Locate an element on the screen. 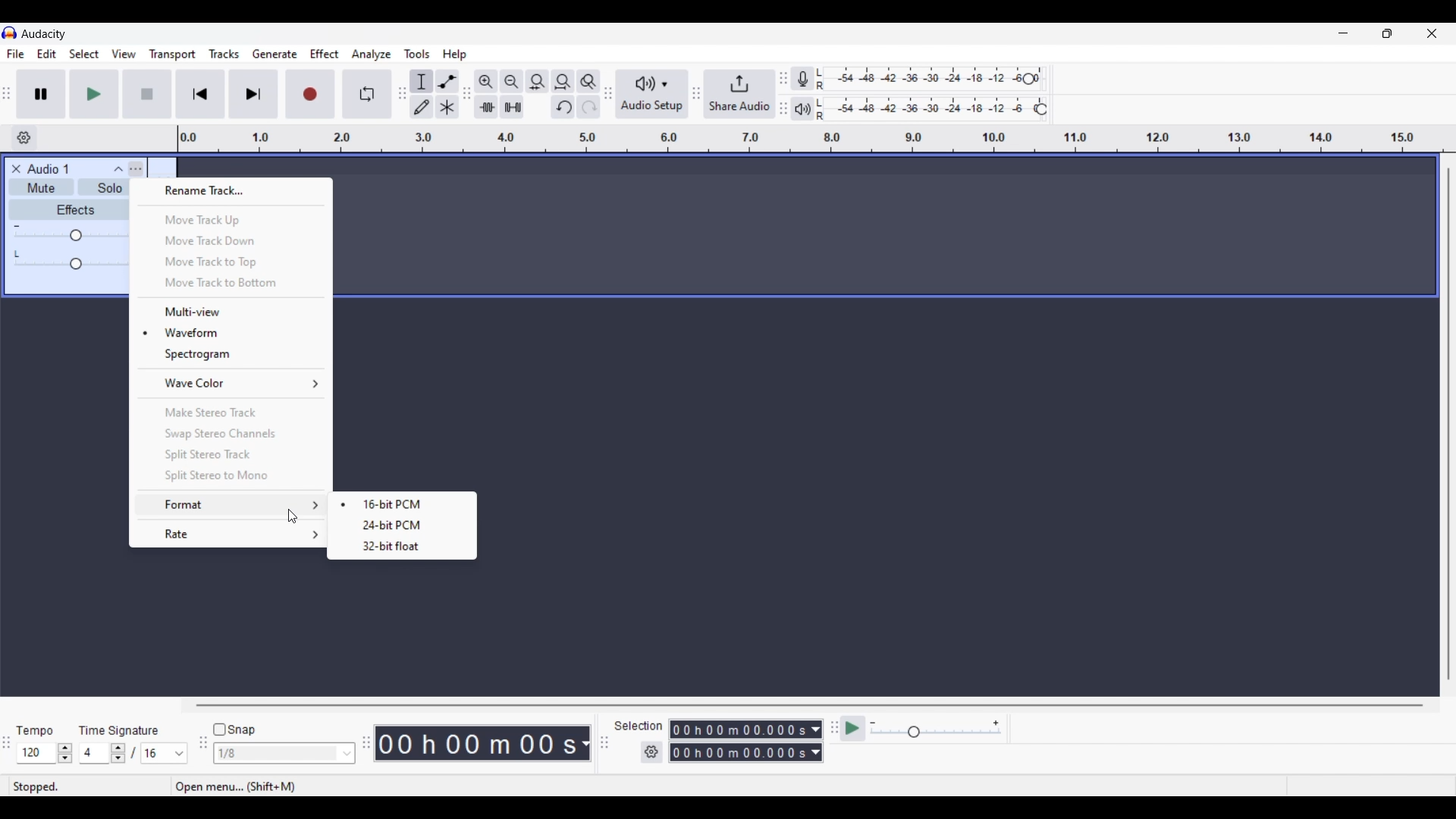 The width and height of the screenshot is (1456, 819). Vertical slide bar is located at coordinates (1447, 424).